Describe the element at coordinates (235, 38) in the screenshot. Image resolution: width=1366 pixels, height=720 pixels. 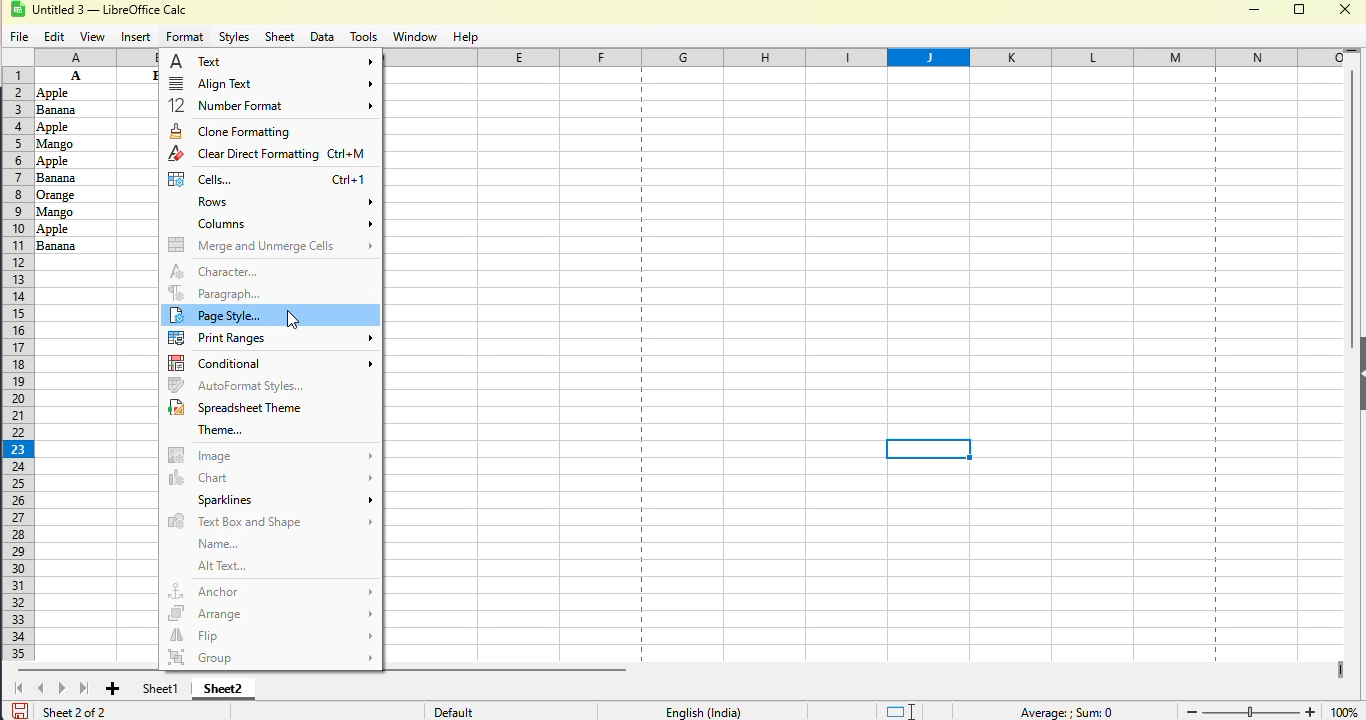
I see `styles` at that location.